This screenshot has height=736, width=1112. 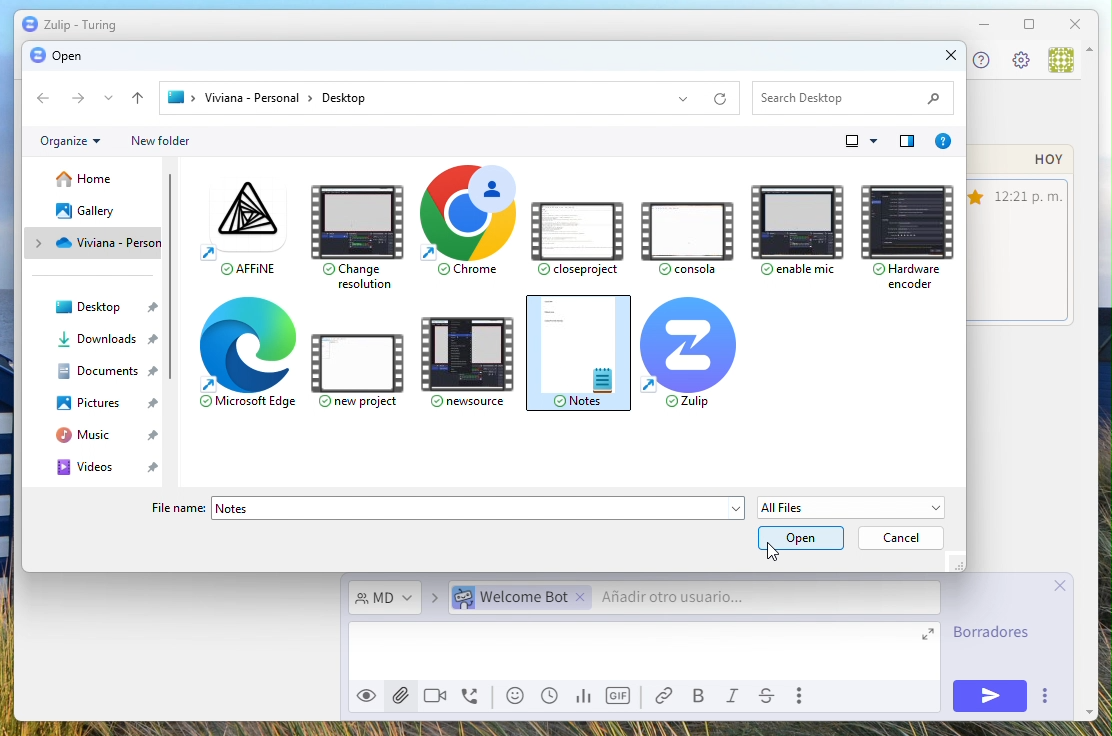 I want to click on Path, so click(x=453, y=97).